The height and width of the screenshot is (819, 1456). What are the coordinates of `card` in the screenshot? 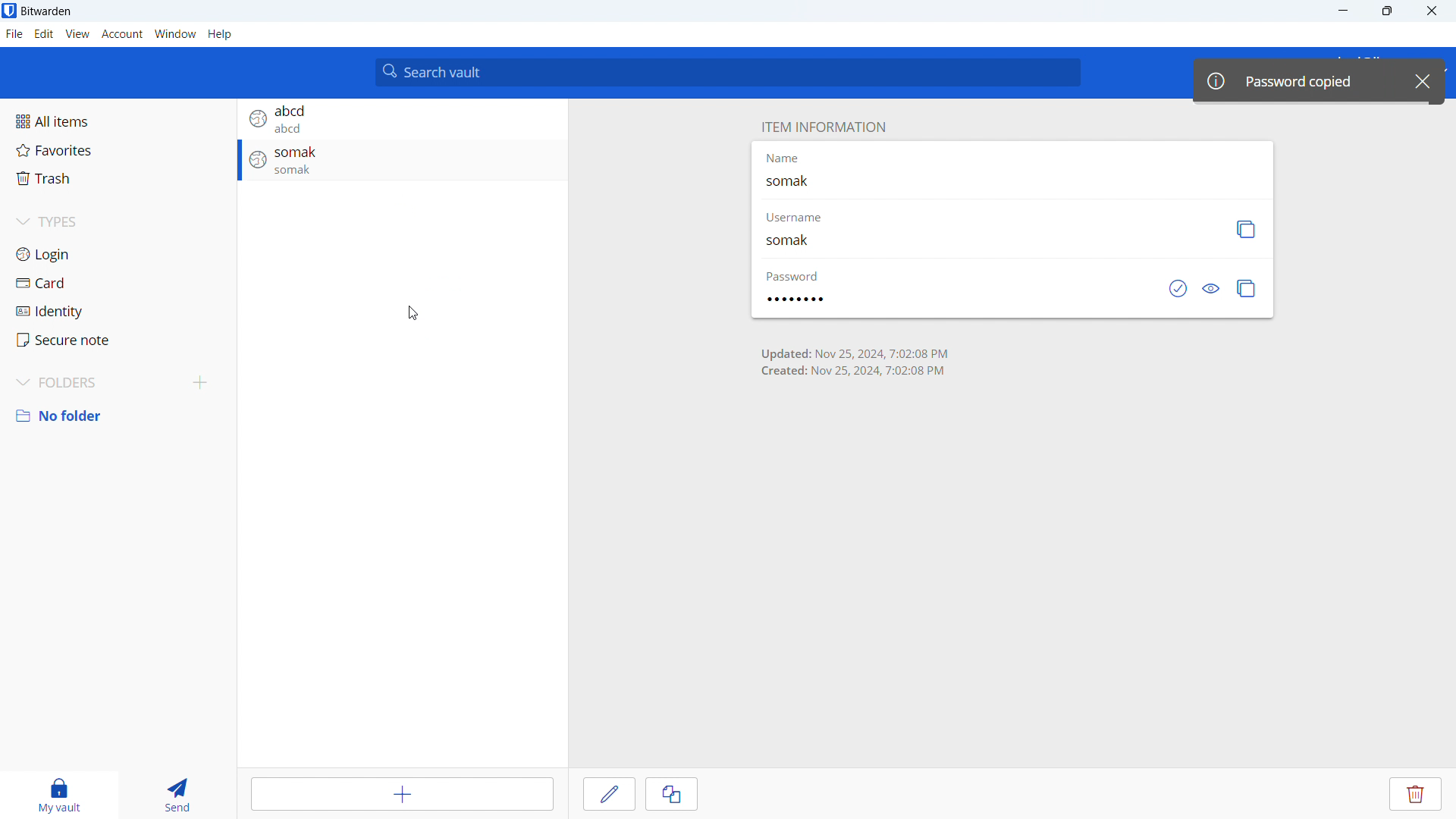 It's located at (117, 283).